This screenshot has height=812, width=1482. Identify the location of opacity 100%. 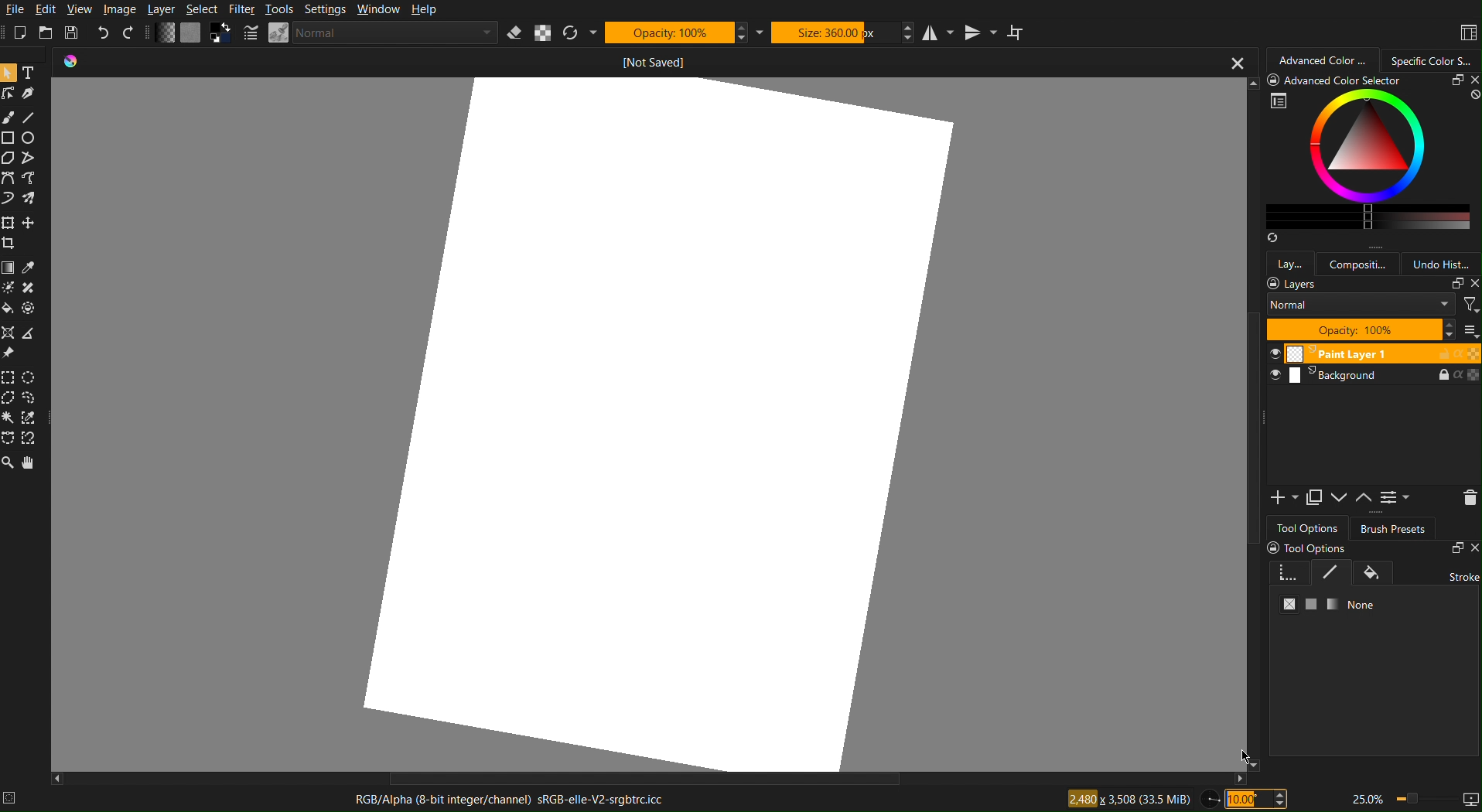
(1361, 330).